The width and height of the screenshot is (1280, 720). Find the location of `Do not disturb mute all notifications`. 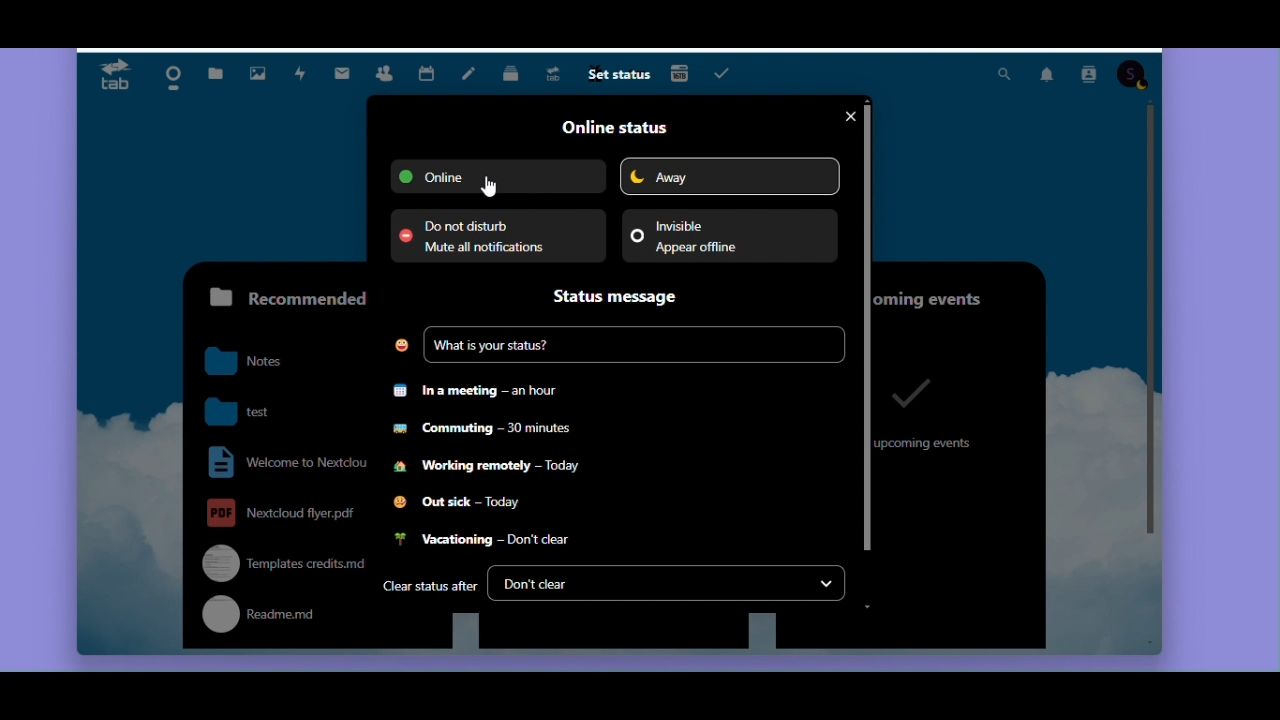

Do not disturb mute all notifications is located at coordinates (497, 236).